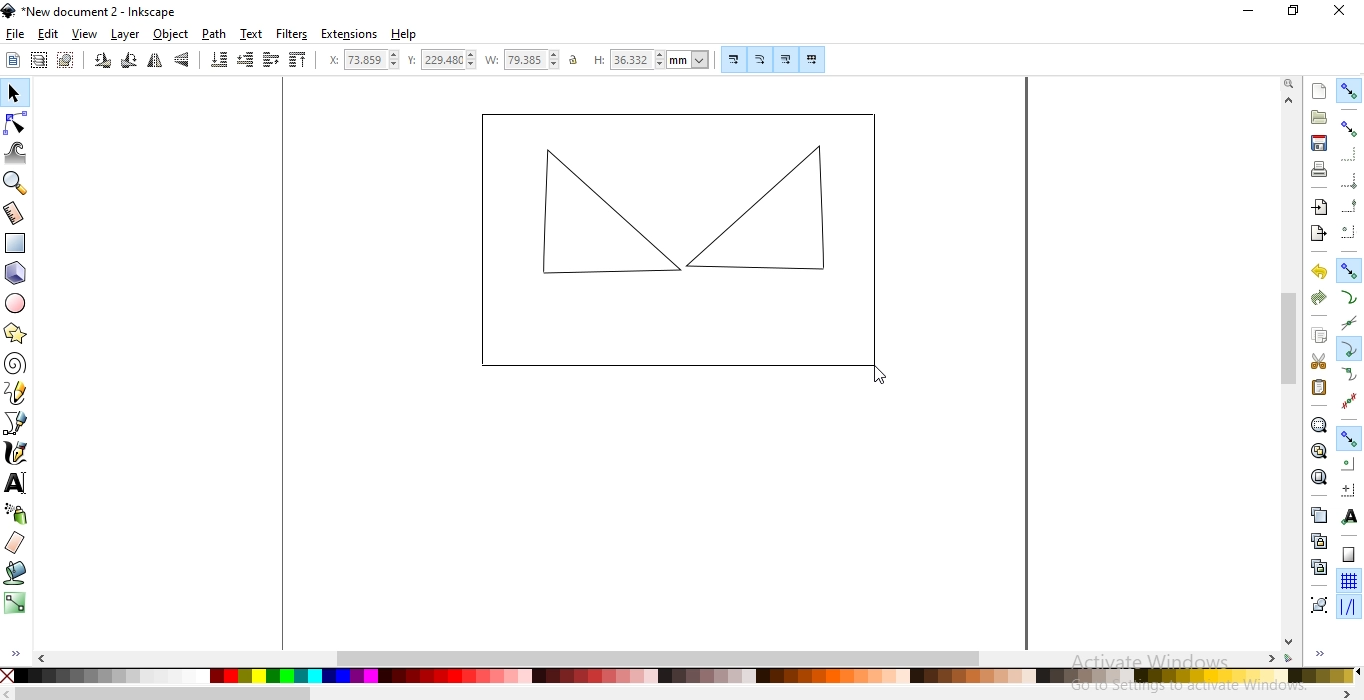 Image resolution: width=1364 pixels, height=700 pixels. What do you see at coordinates (1350, 127) in the screenshot?
I see `snap bounding boxes` at bounding box center [1350, 127].